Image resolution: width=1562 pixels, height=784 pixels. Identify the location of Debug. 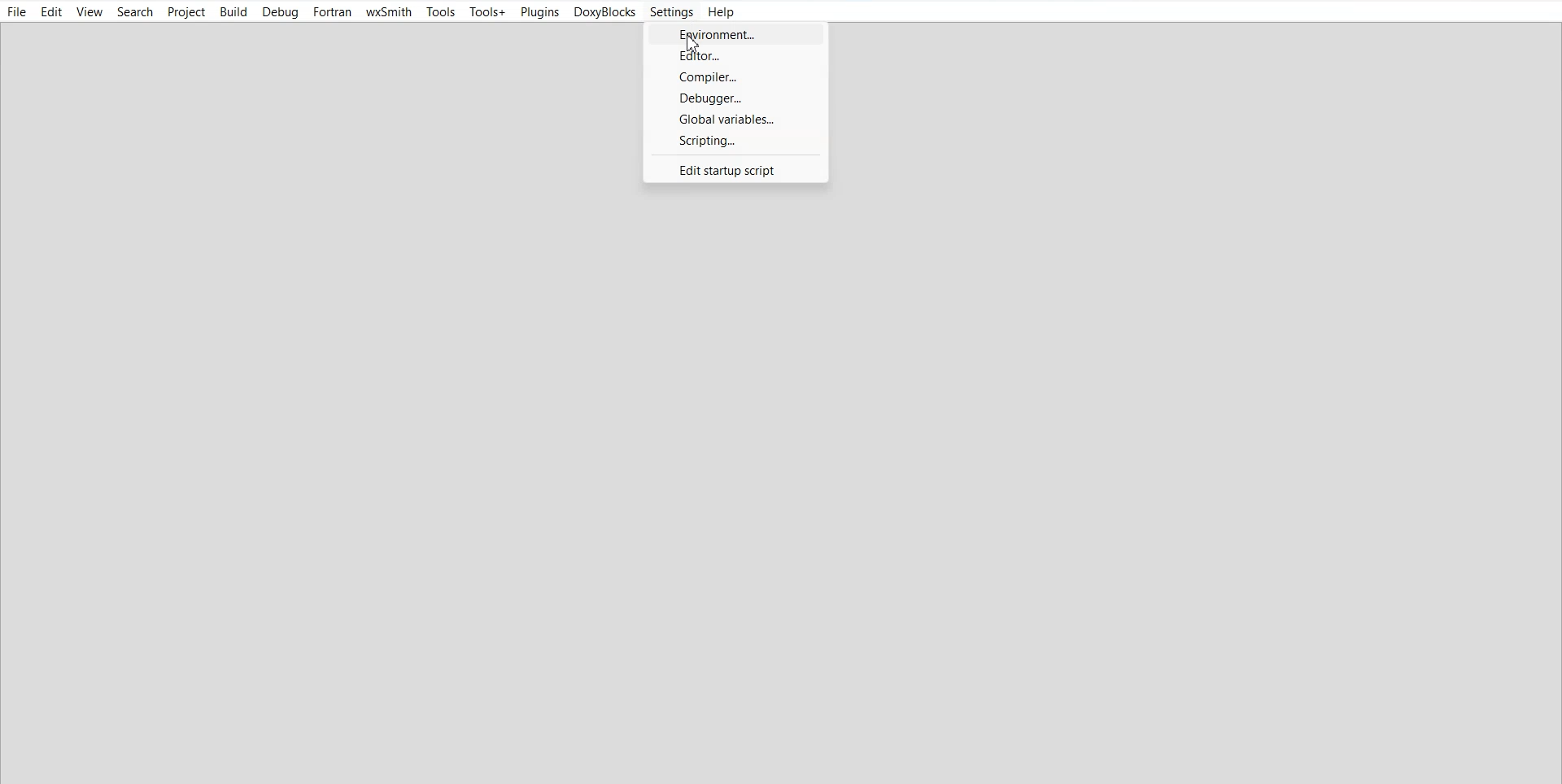
(280, 12).